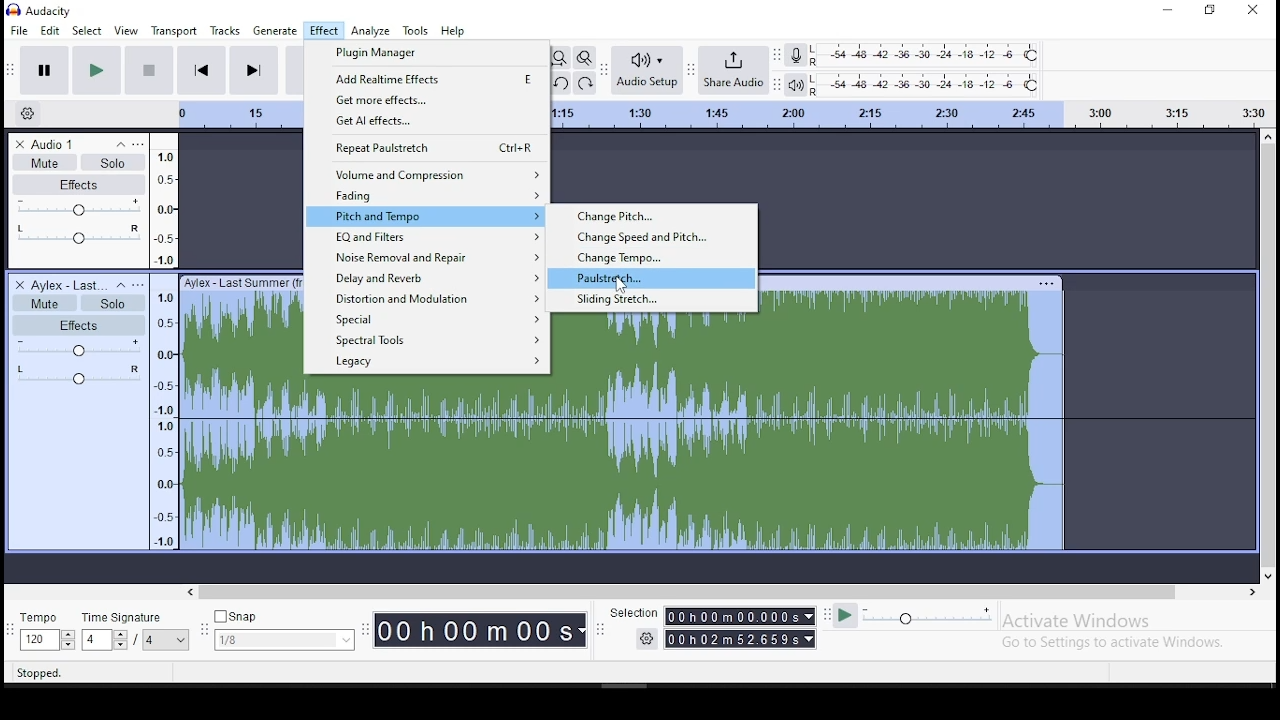 The height and width of the screenshot is (720, 1280). Describe the element at coordinates (19, 142) in the screenshot. I see `delete track` at that location.